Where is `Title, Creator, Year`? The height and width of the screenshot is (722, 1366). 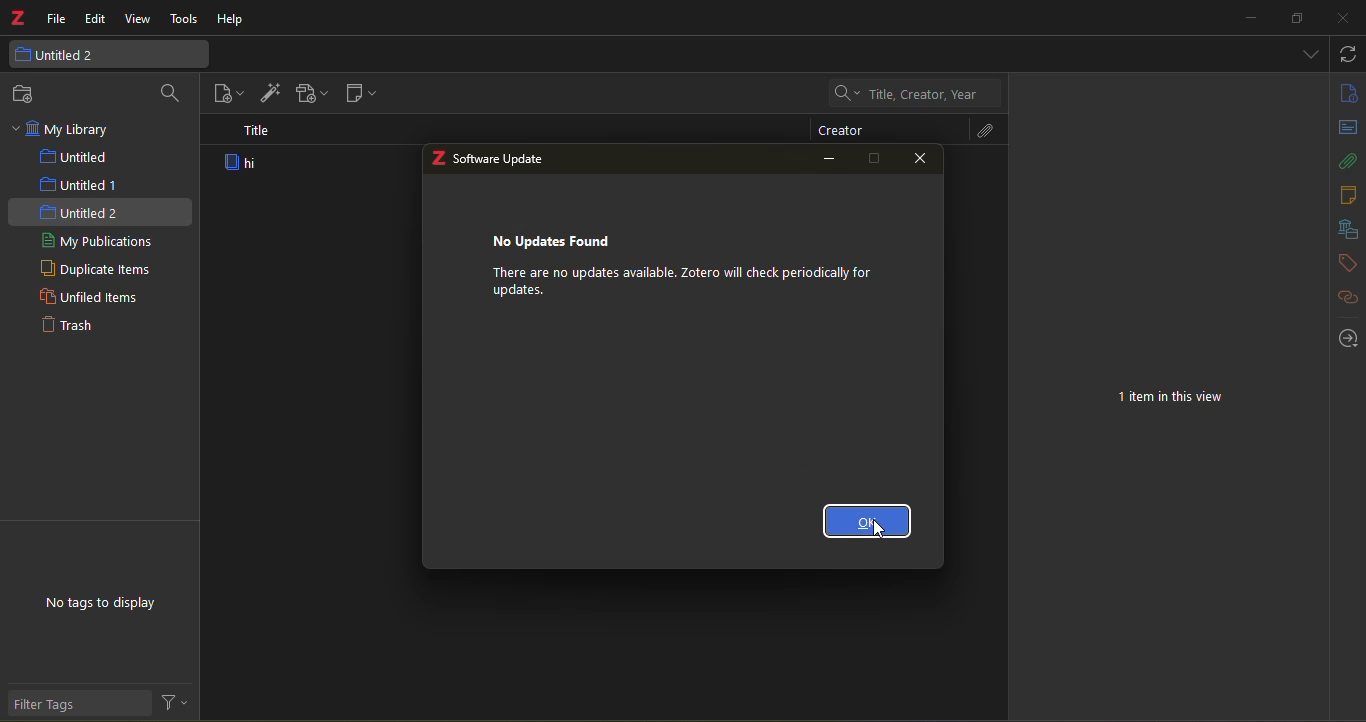
Title, Creator, Year is located at coordinates (910, 93).